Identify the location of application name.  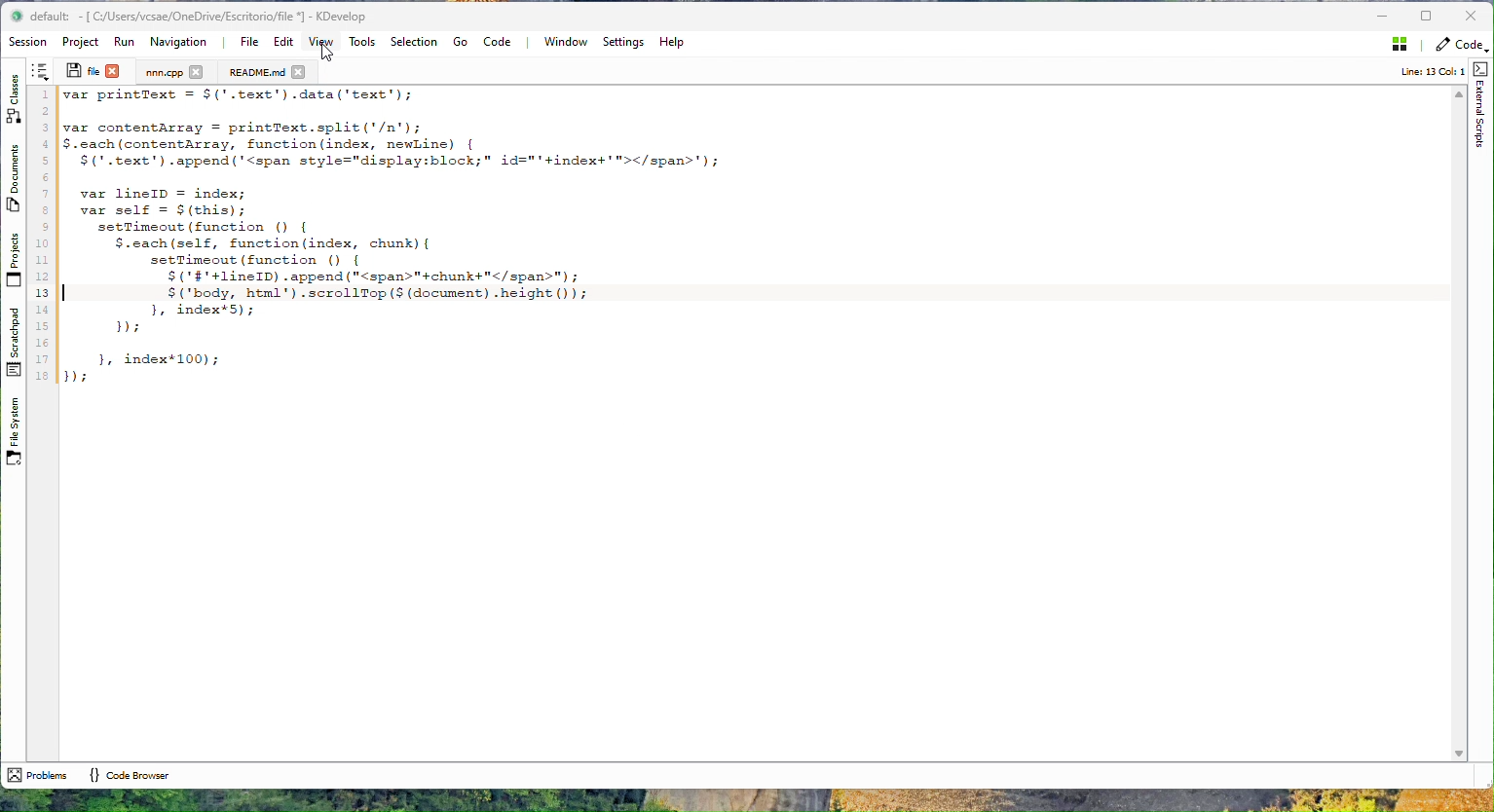
(209, 17).